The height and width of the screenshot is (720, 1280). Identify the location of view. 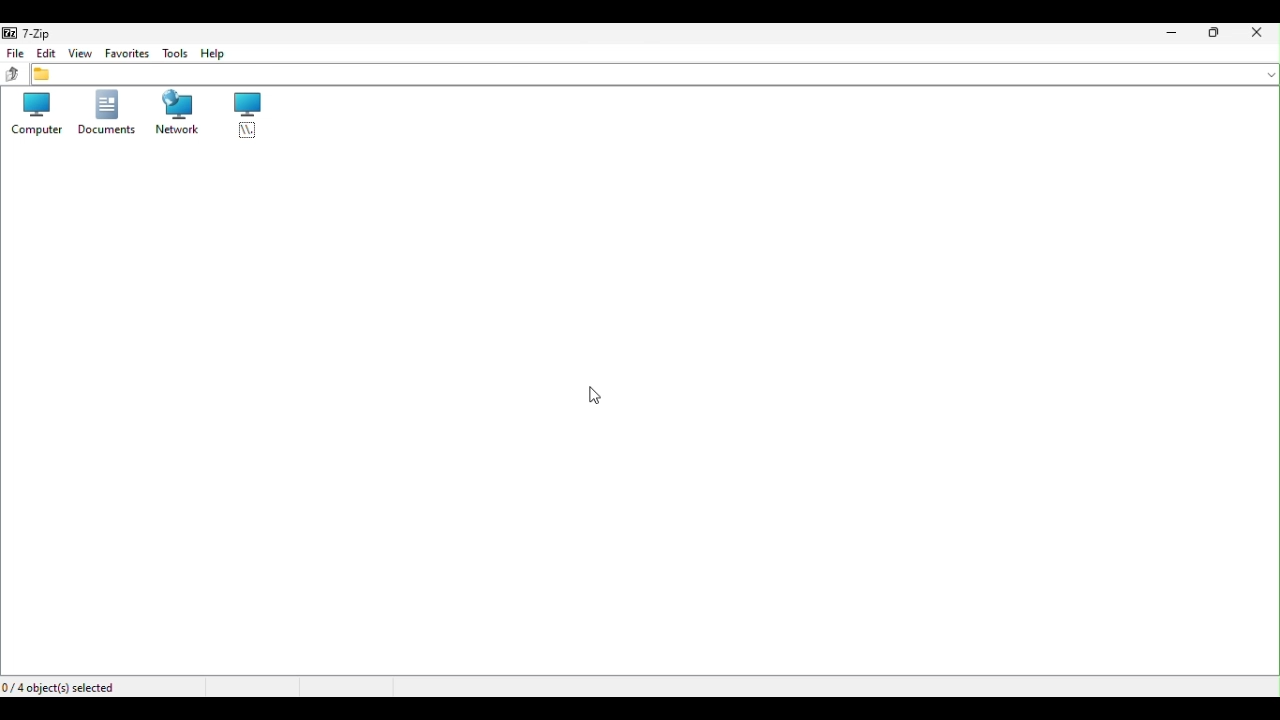
(79, 56).